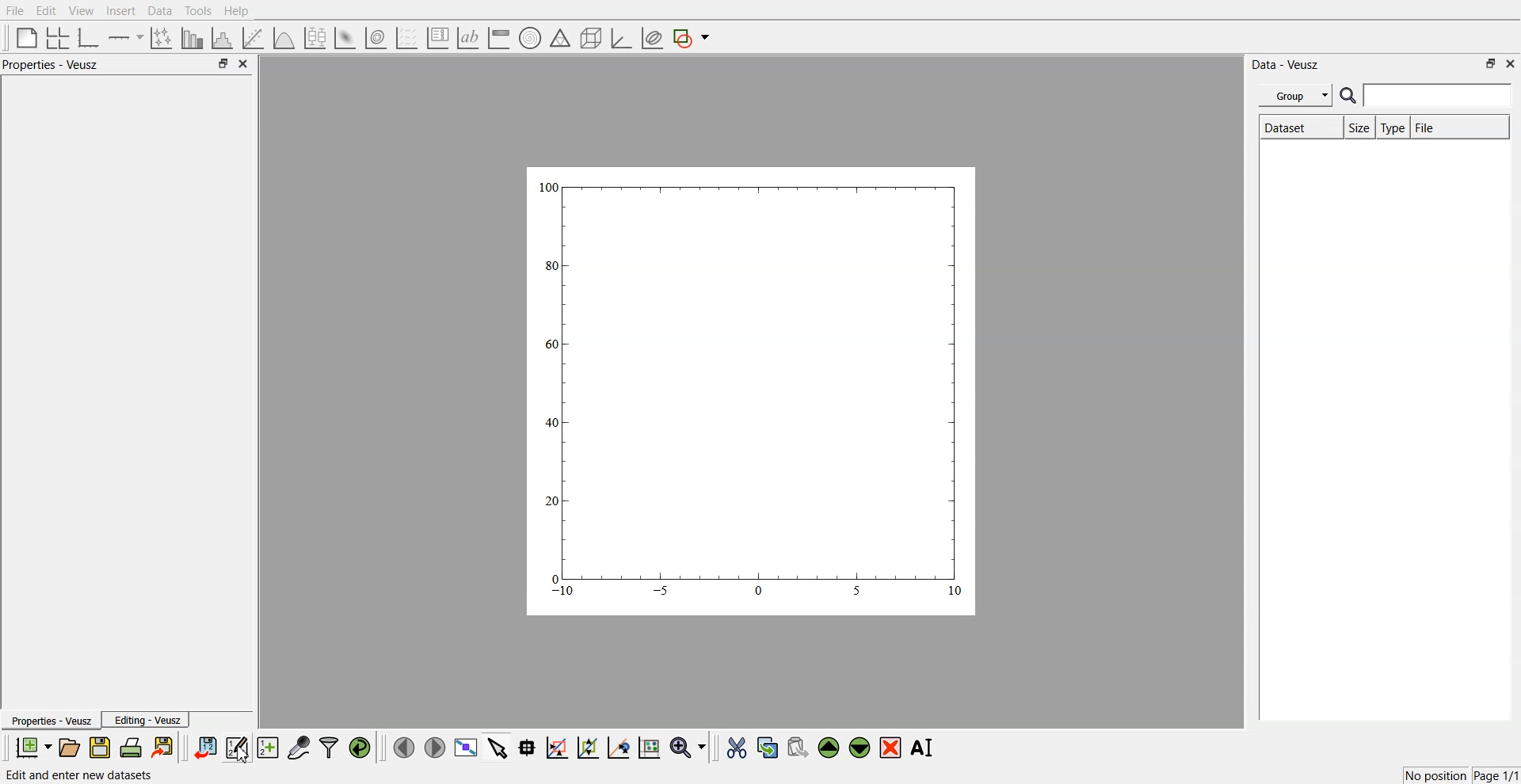  I want to click on view plot full screen, so click(465, 748).